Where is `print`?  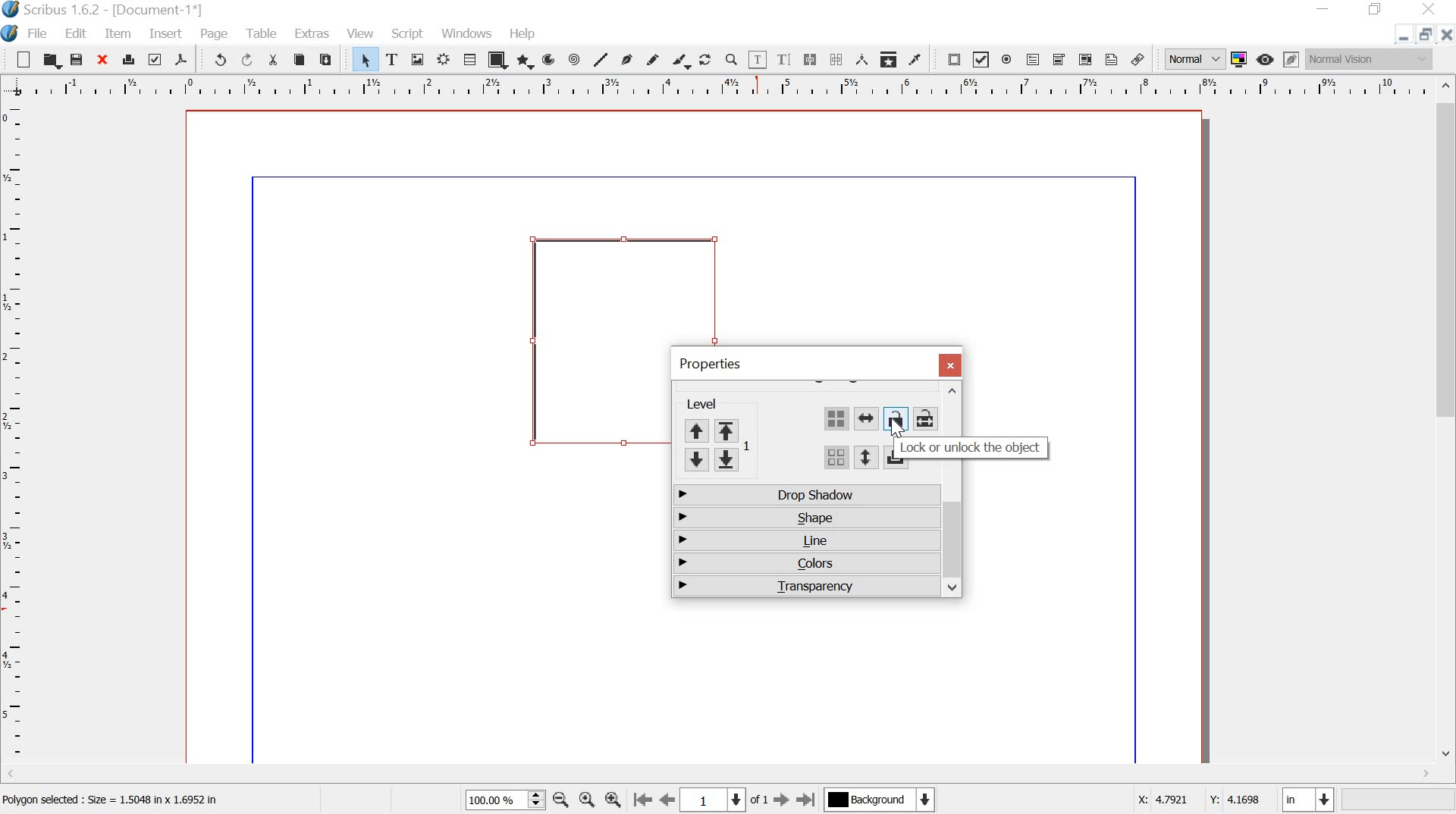 print is located at coordinates (129, 59).